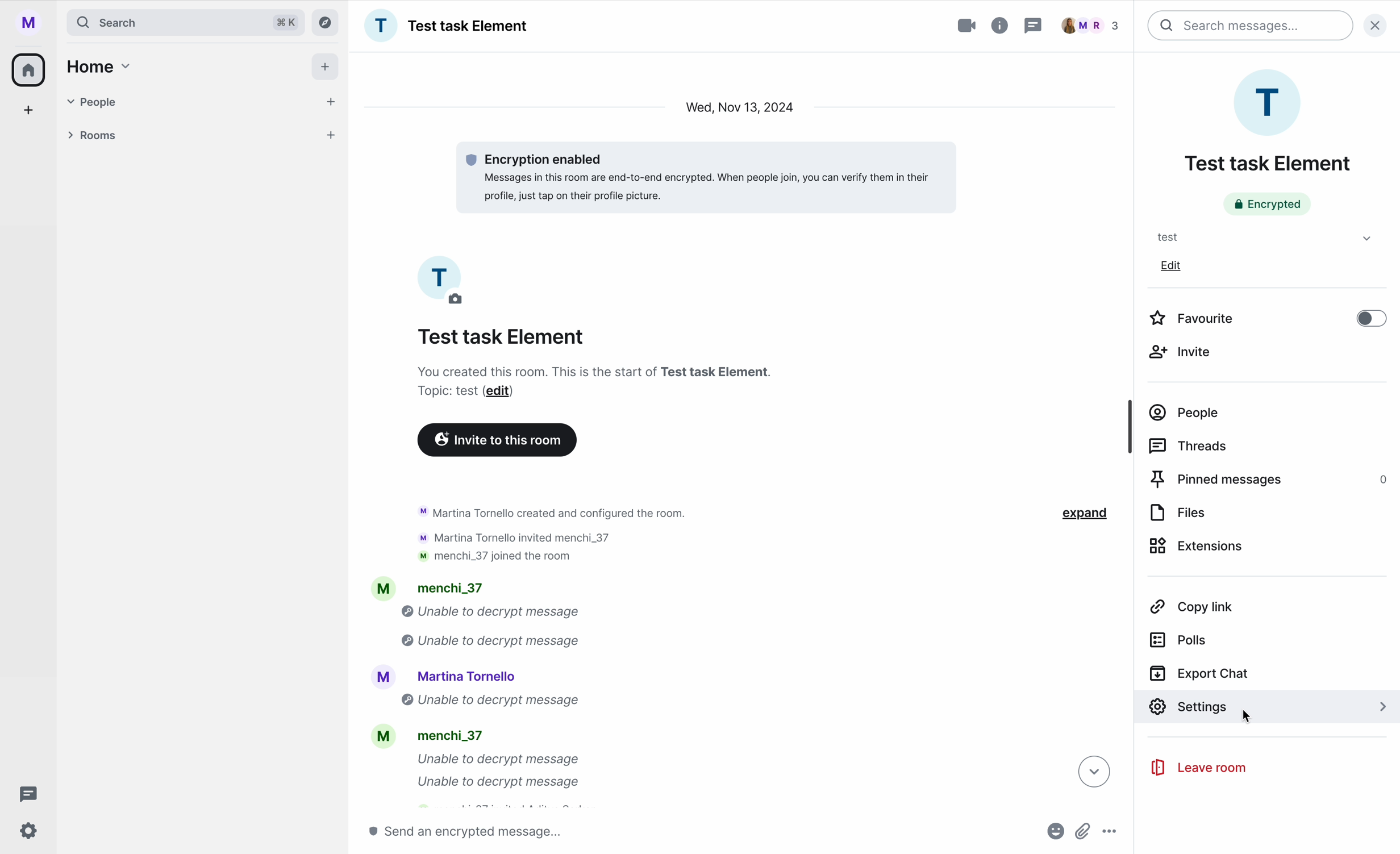  Describe the element at coordinates (1128, 427) in the screenshot. I see `scroll` at that location.